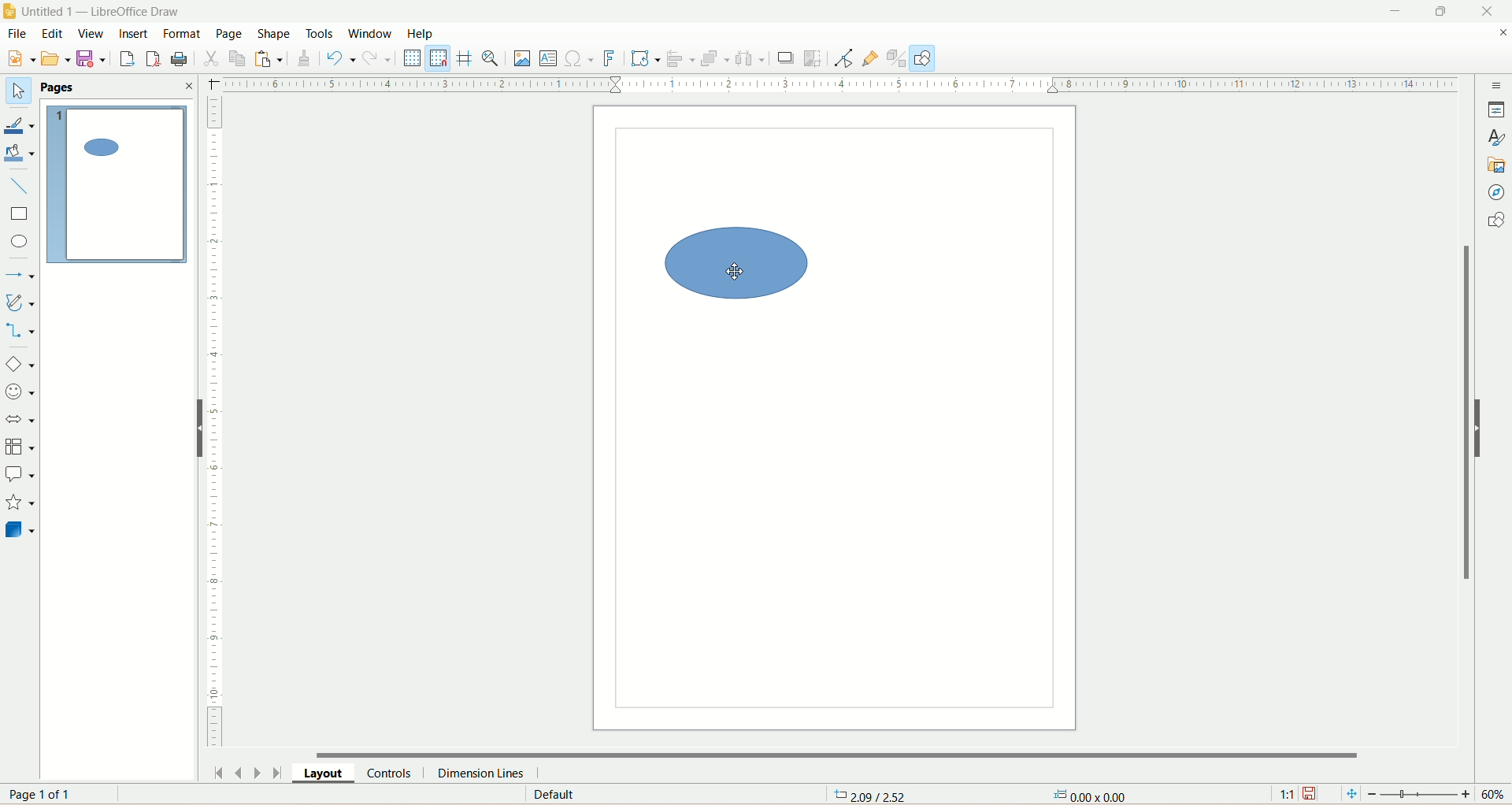 The image size is (1512, 805). What do you see at coordinates (1399, 9) in the screenshot?
I see `minimize` at bounding box center [1399, 9].